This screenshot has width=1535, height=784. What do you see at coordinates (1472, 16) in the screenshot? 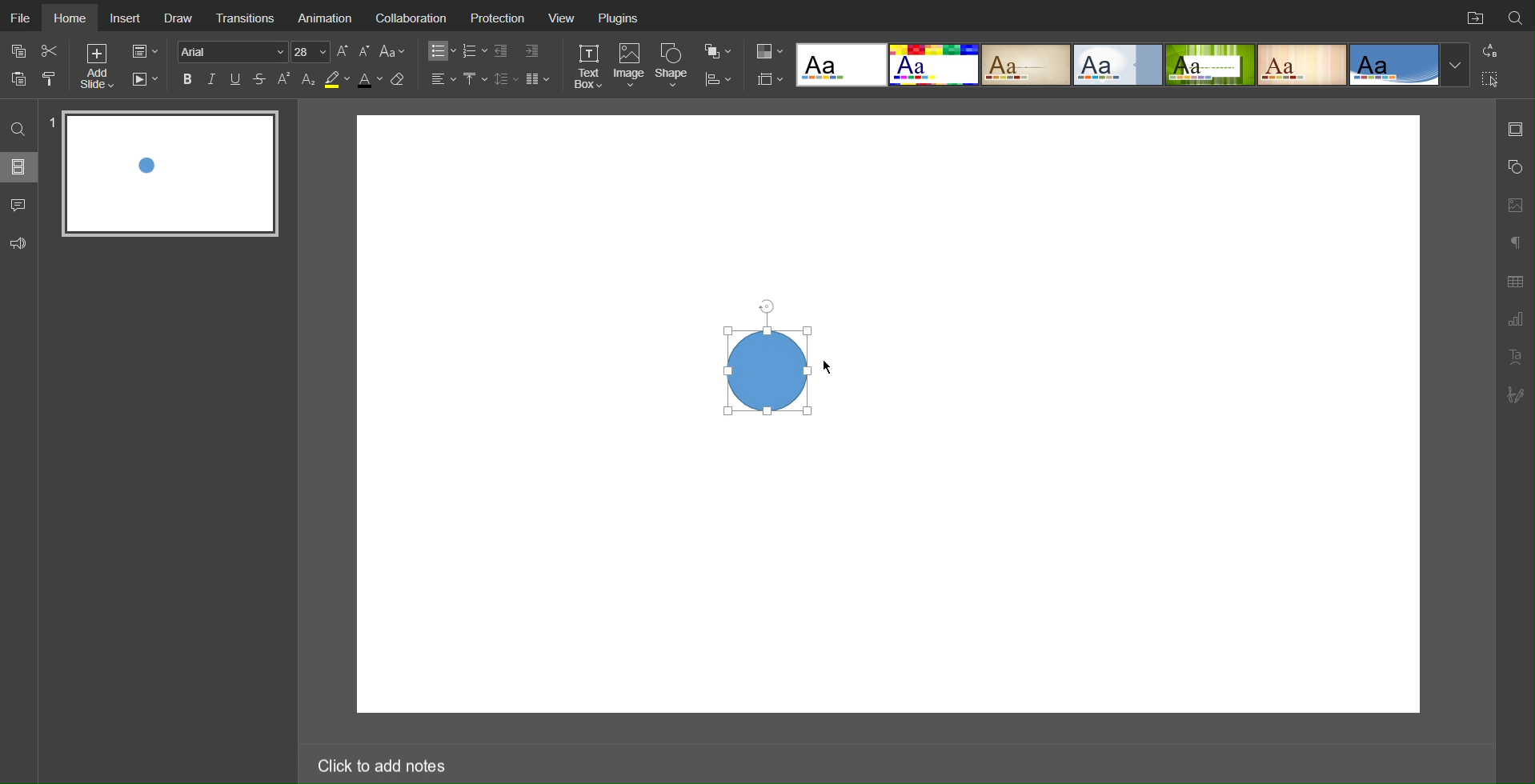
I see `Open File Location` at bounding box center [1472, 16].